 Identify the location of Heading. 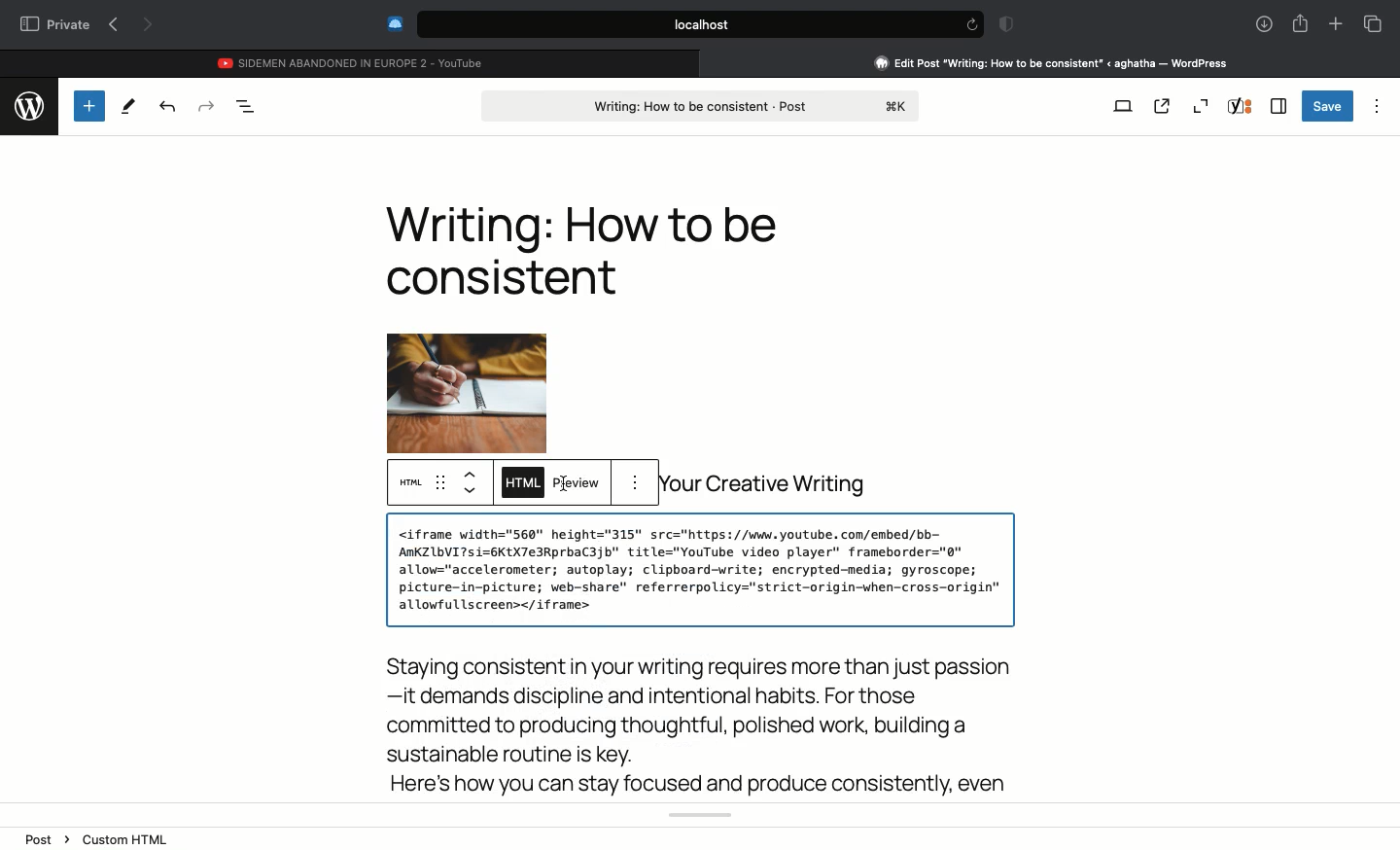
(581, 250).